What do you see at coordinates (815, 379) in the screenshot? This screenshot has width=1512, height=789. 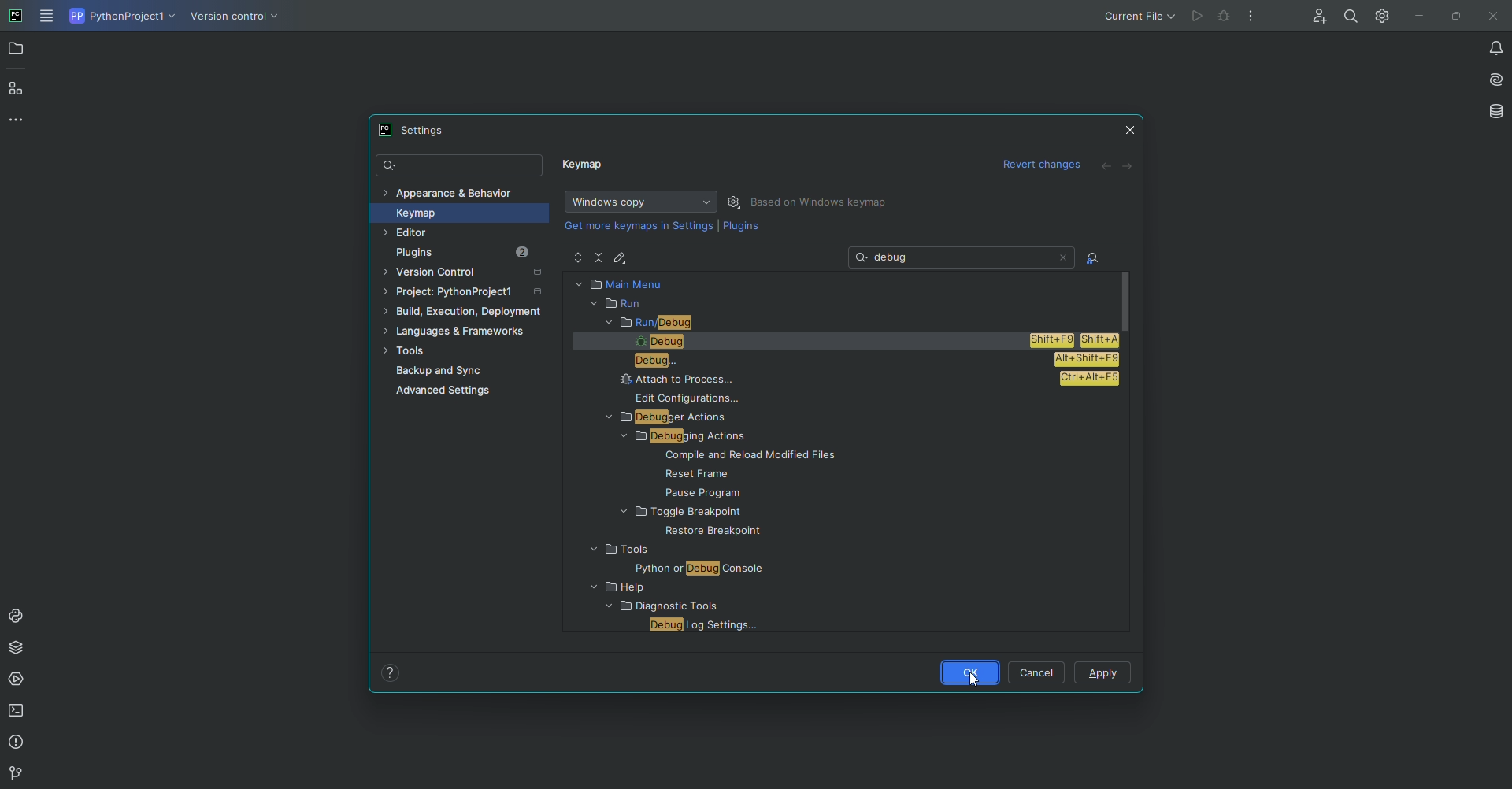 I see `ATTACH TO PROCESS` at bounding box center [815, 379].